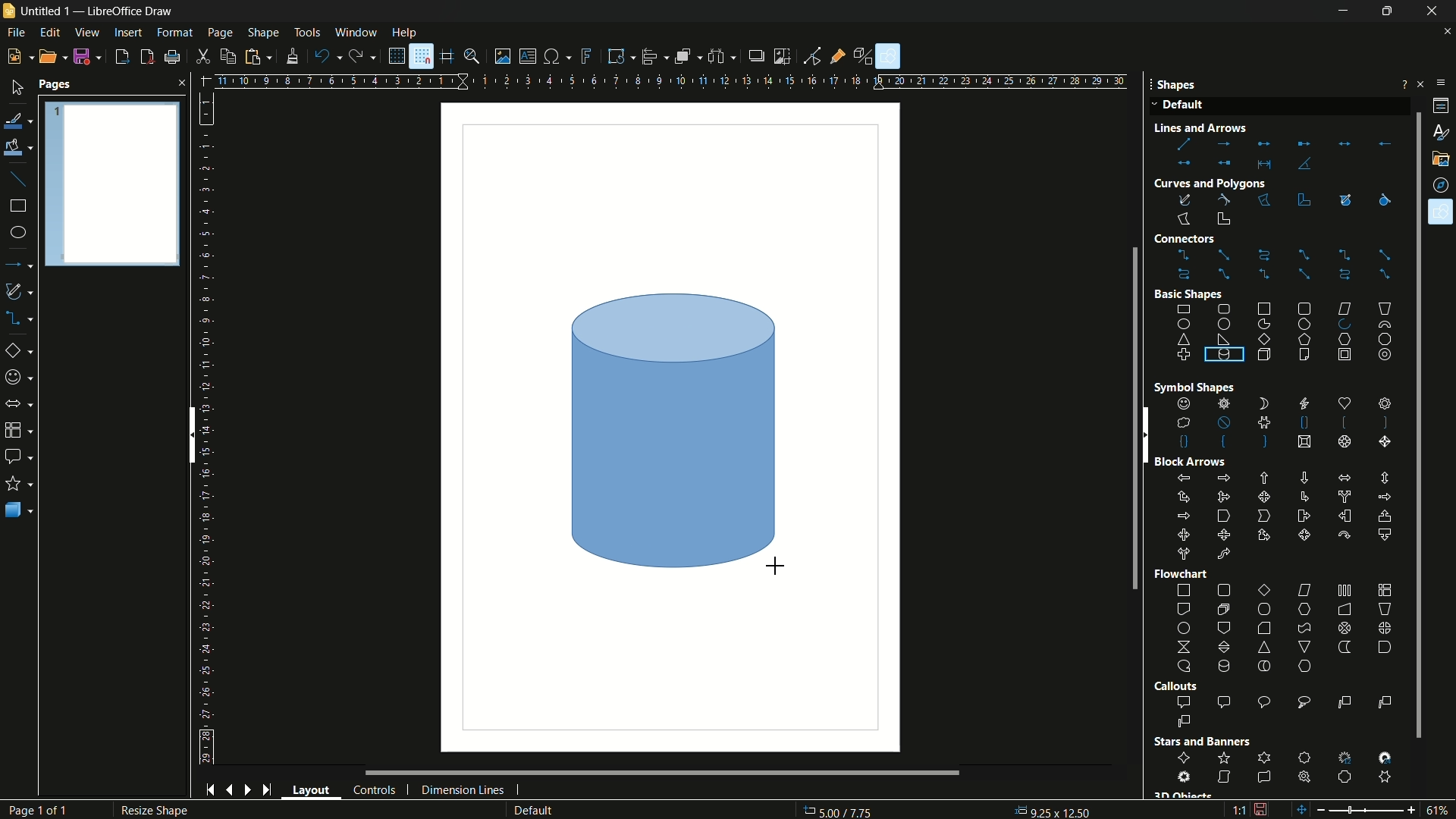 Image resolution: width=1456 pixels, height=819 pixels. I want to click on select, so click(17, 87).